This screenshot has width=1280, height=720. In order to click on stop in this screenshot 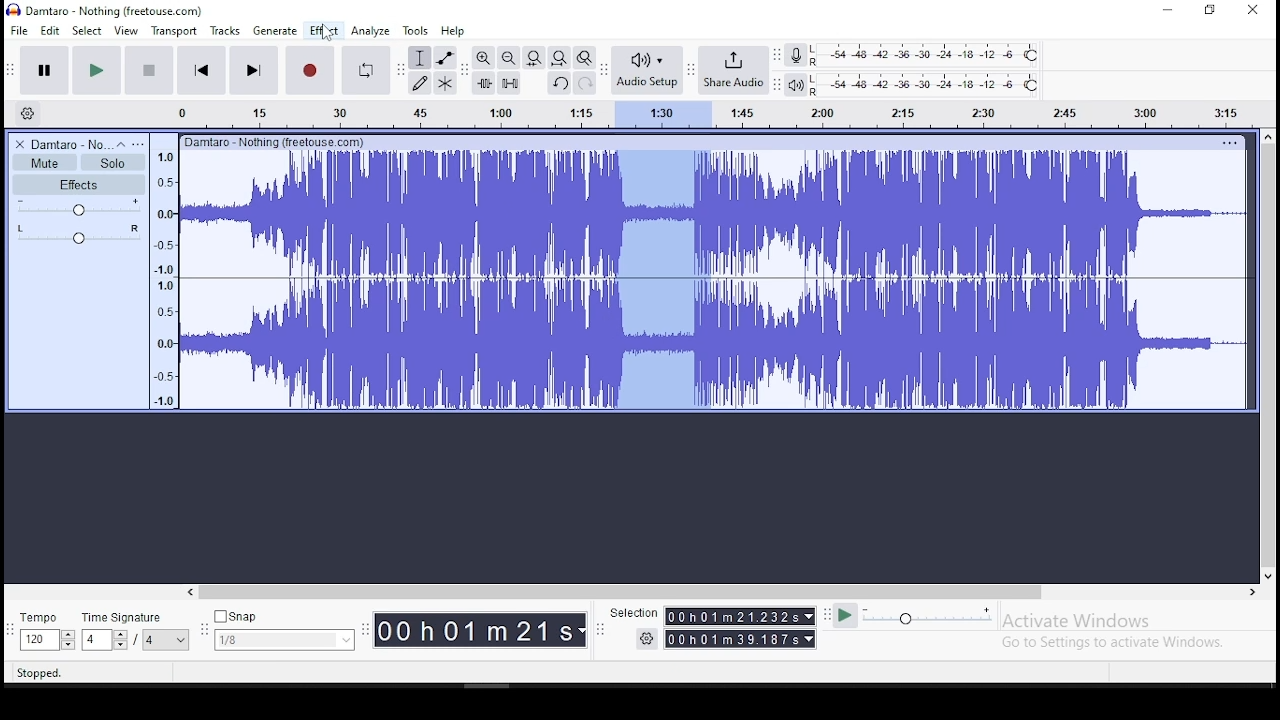, I will do `click(148, 69)`.